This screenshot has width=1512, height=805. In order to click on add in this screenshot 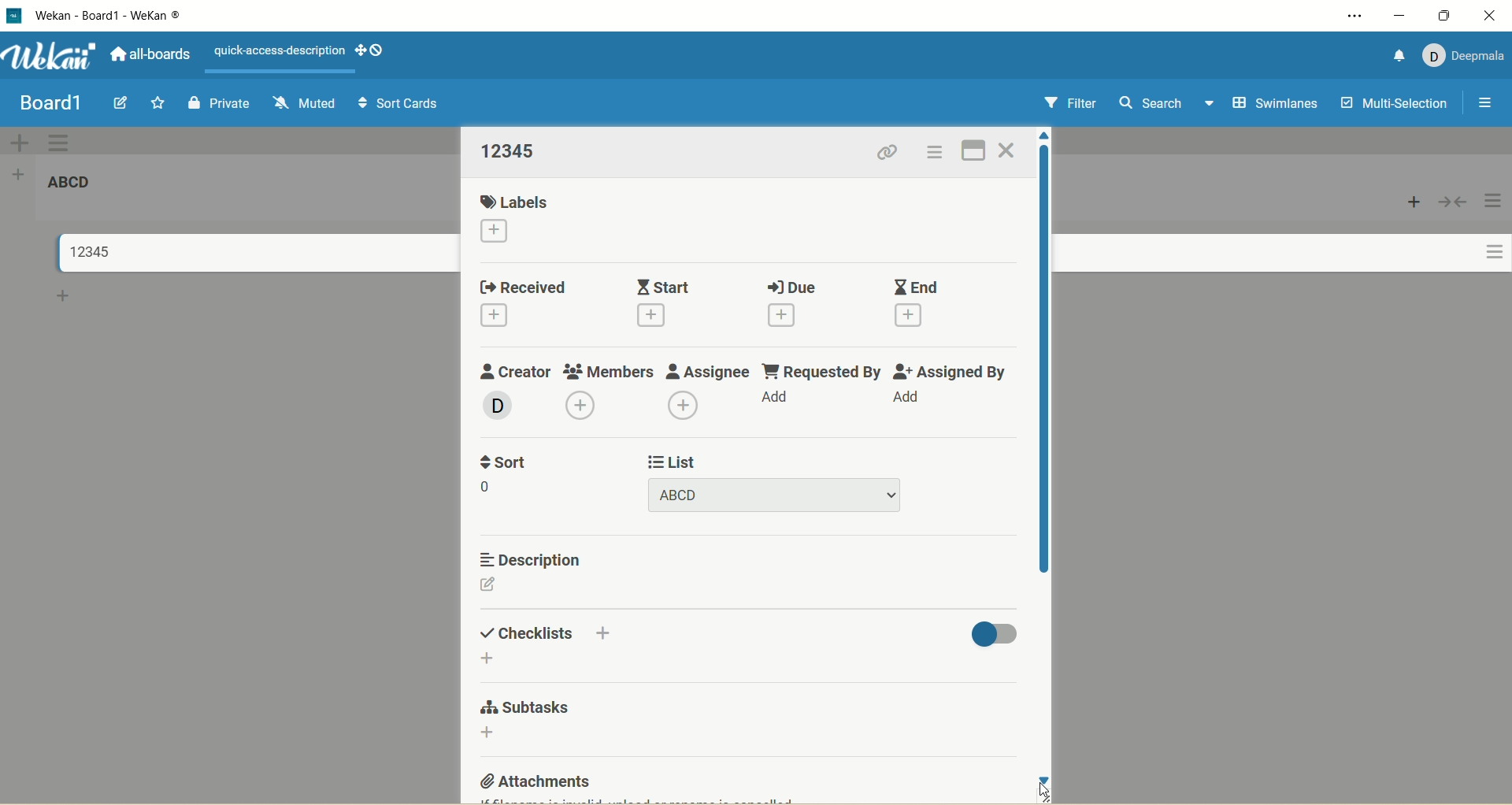, I will do `click(498, 231)`.